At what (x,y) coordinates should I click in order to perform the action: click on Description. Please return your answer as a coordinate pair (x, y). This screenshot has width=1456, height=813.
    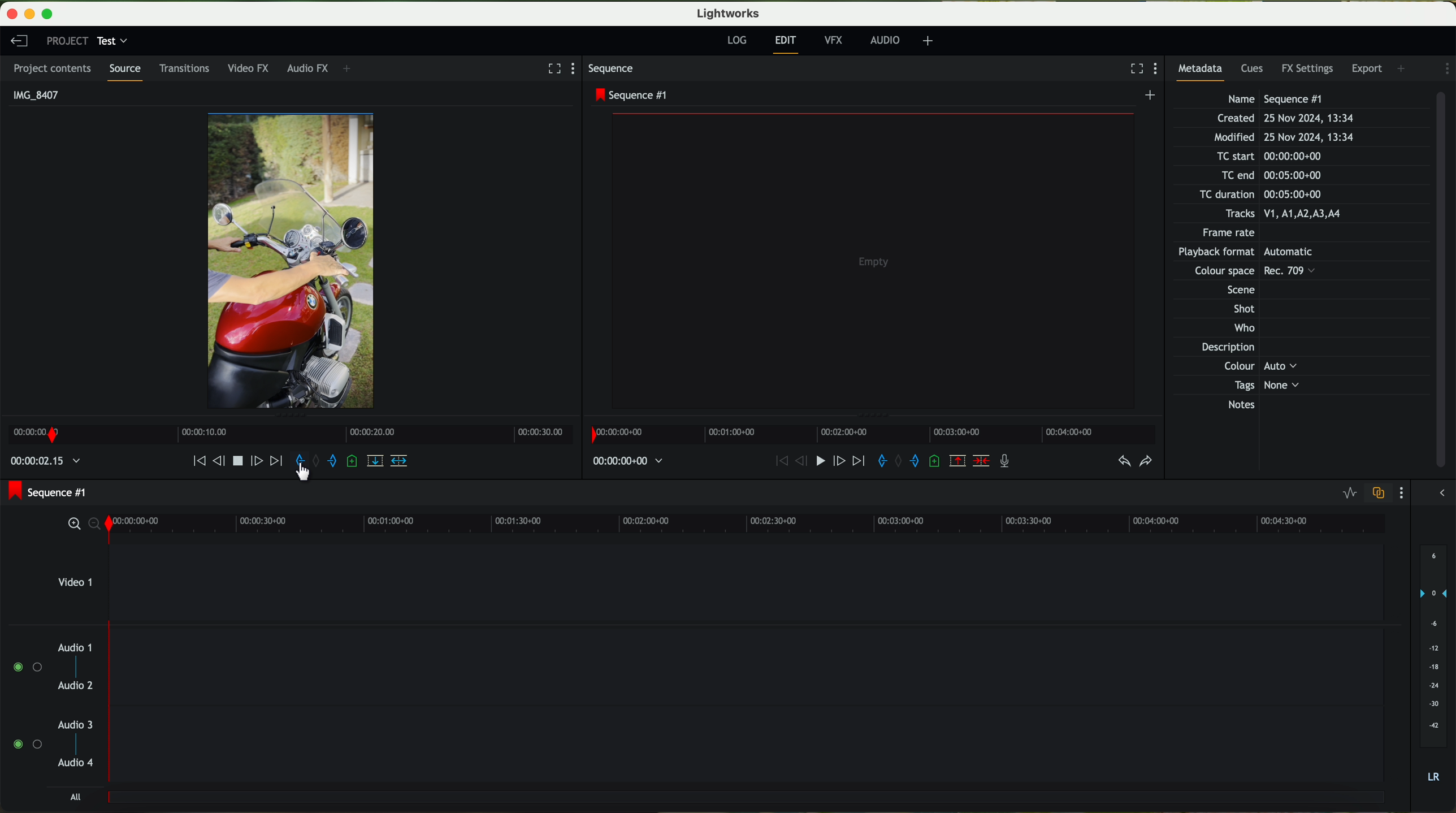
    Looking at the image, I should click on (1241, 348).